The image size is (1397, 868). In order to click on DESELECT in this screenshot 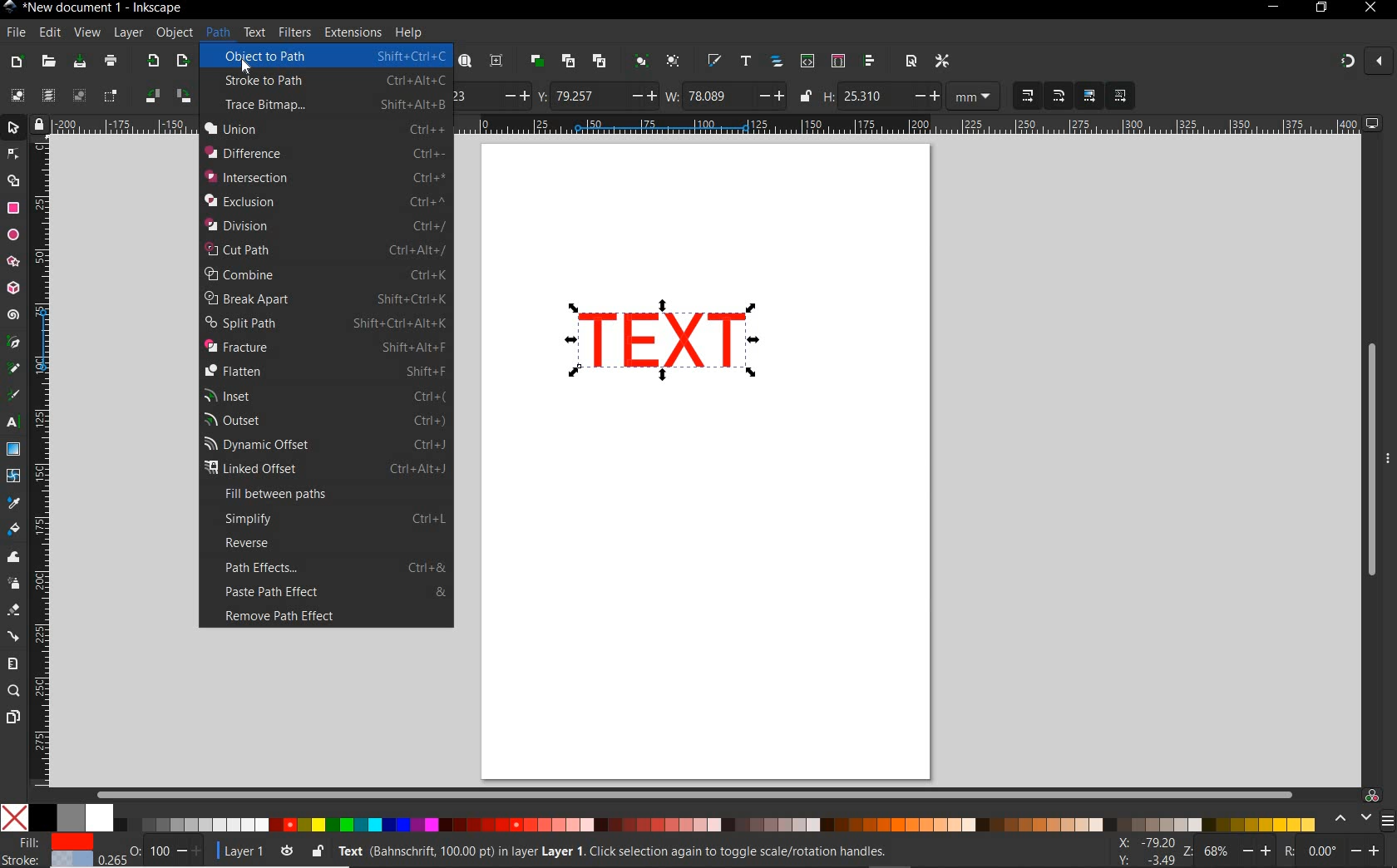, I will do `click(77, 95)`.